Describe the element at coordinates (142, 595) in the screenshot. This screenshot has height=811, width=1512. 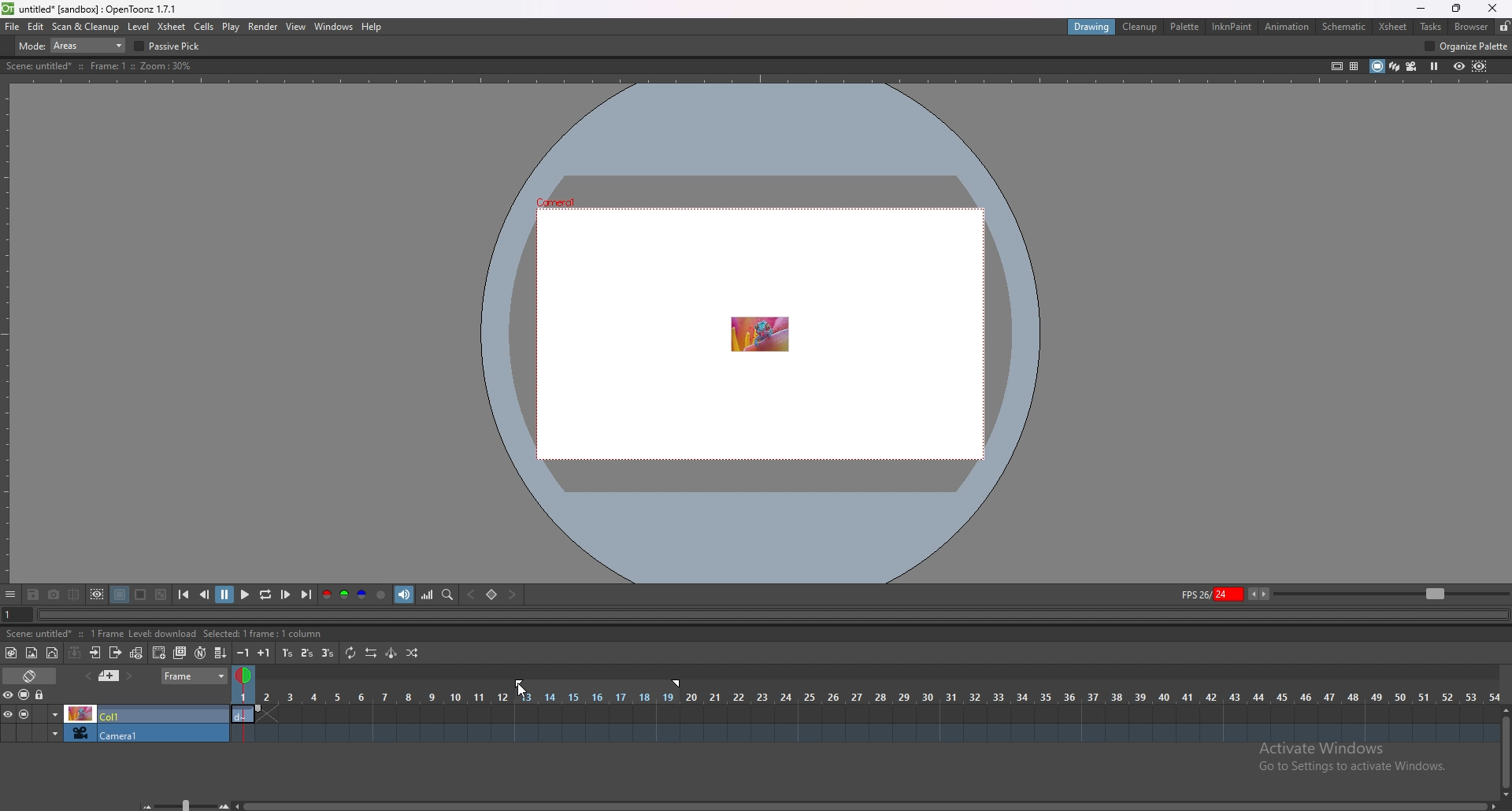
I see `white background` at that location.